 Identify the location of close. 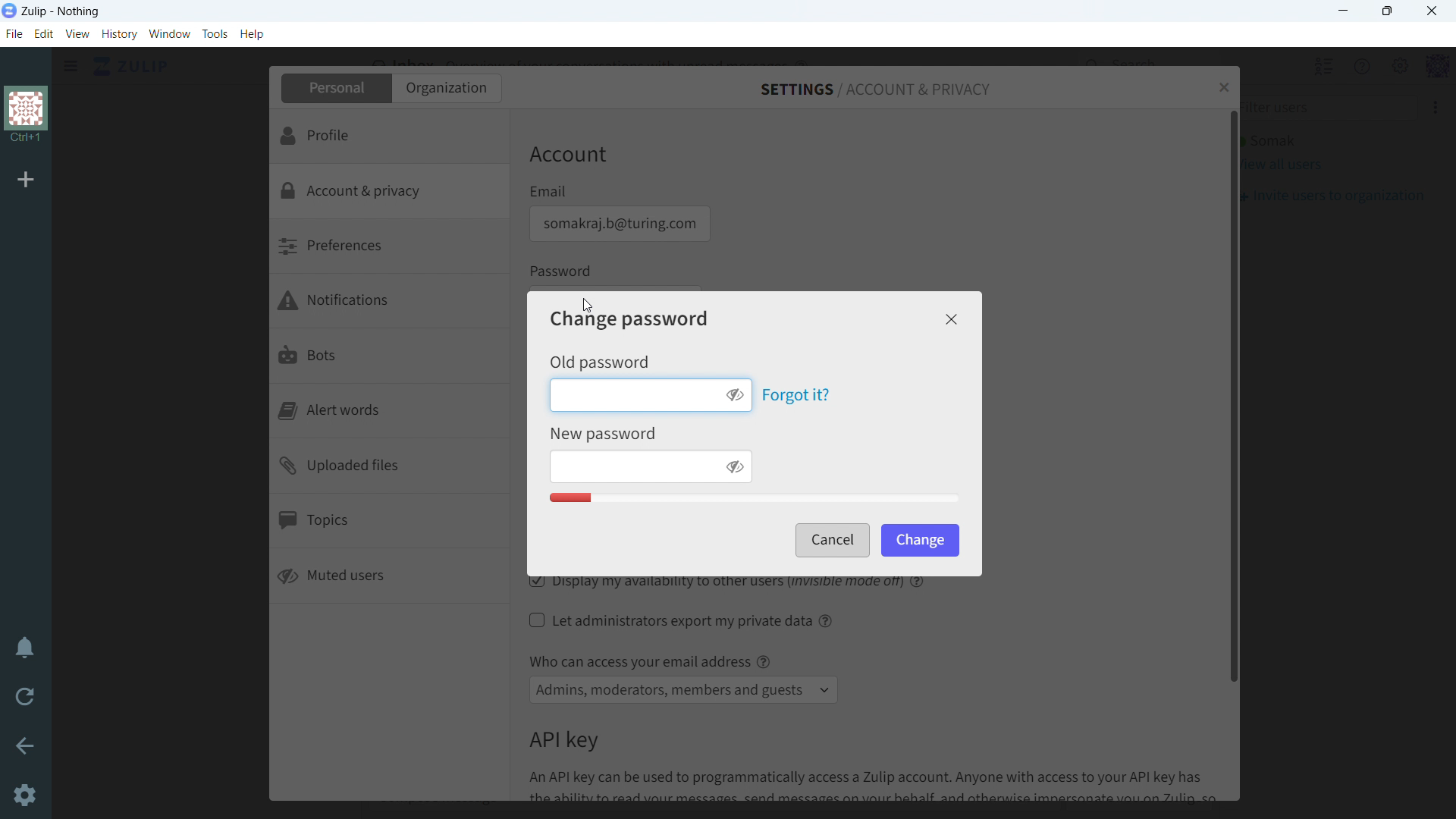
(1223, 87).